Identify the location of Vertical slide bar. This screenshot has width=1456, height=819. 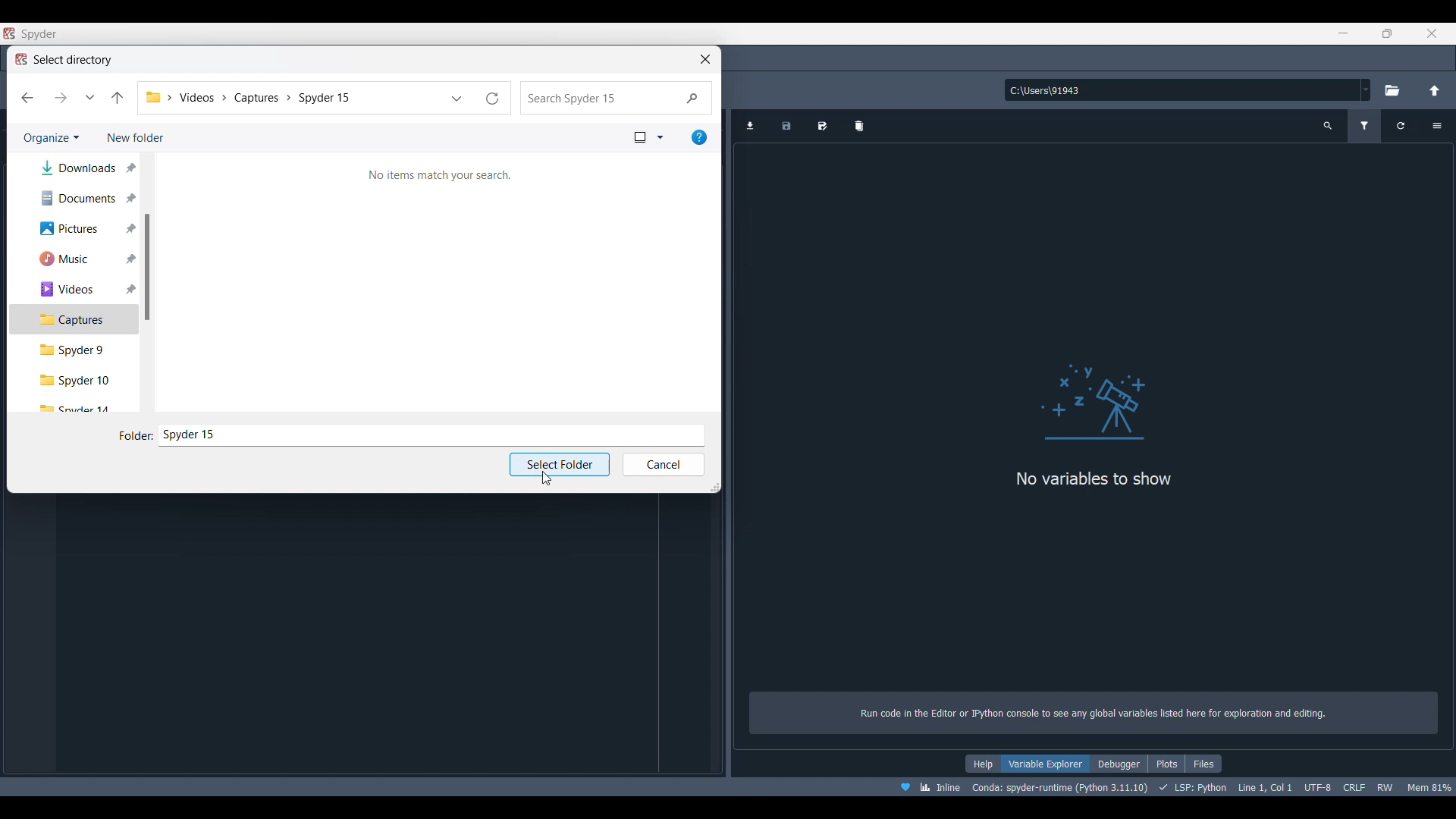
(147, 267).